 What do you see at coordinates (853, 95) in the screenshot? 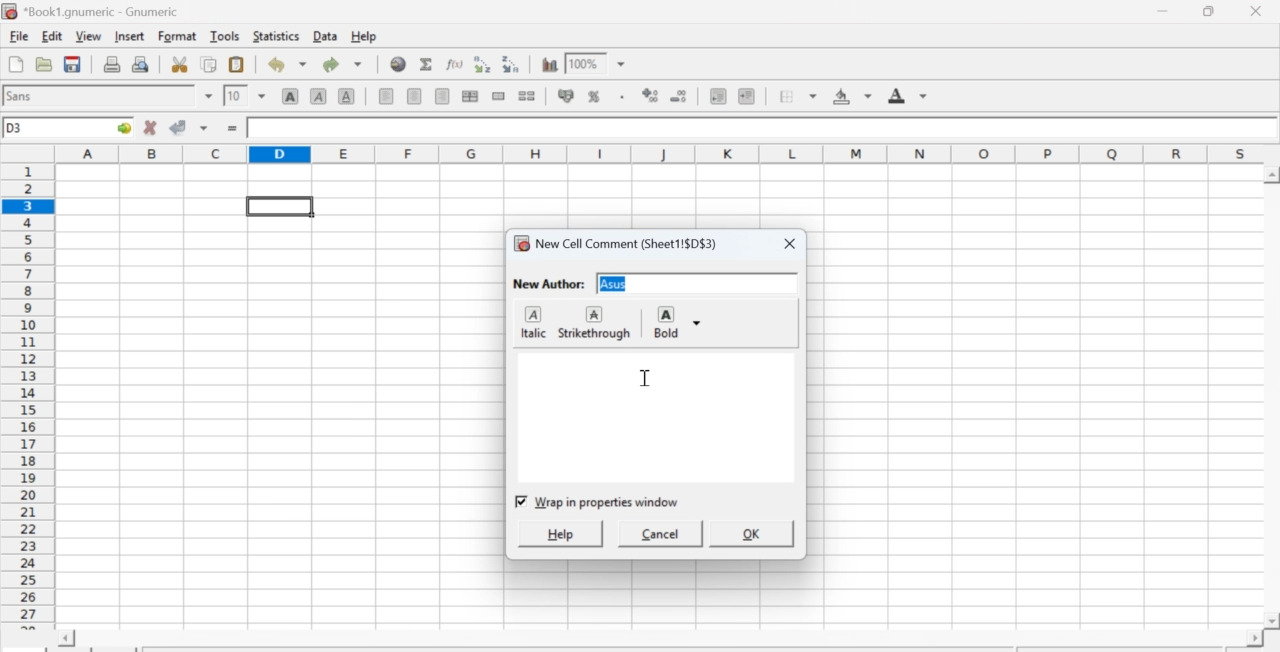
I see `Background` at bounding box center [853, 95].